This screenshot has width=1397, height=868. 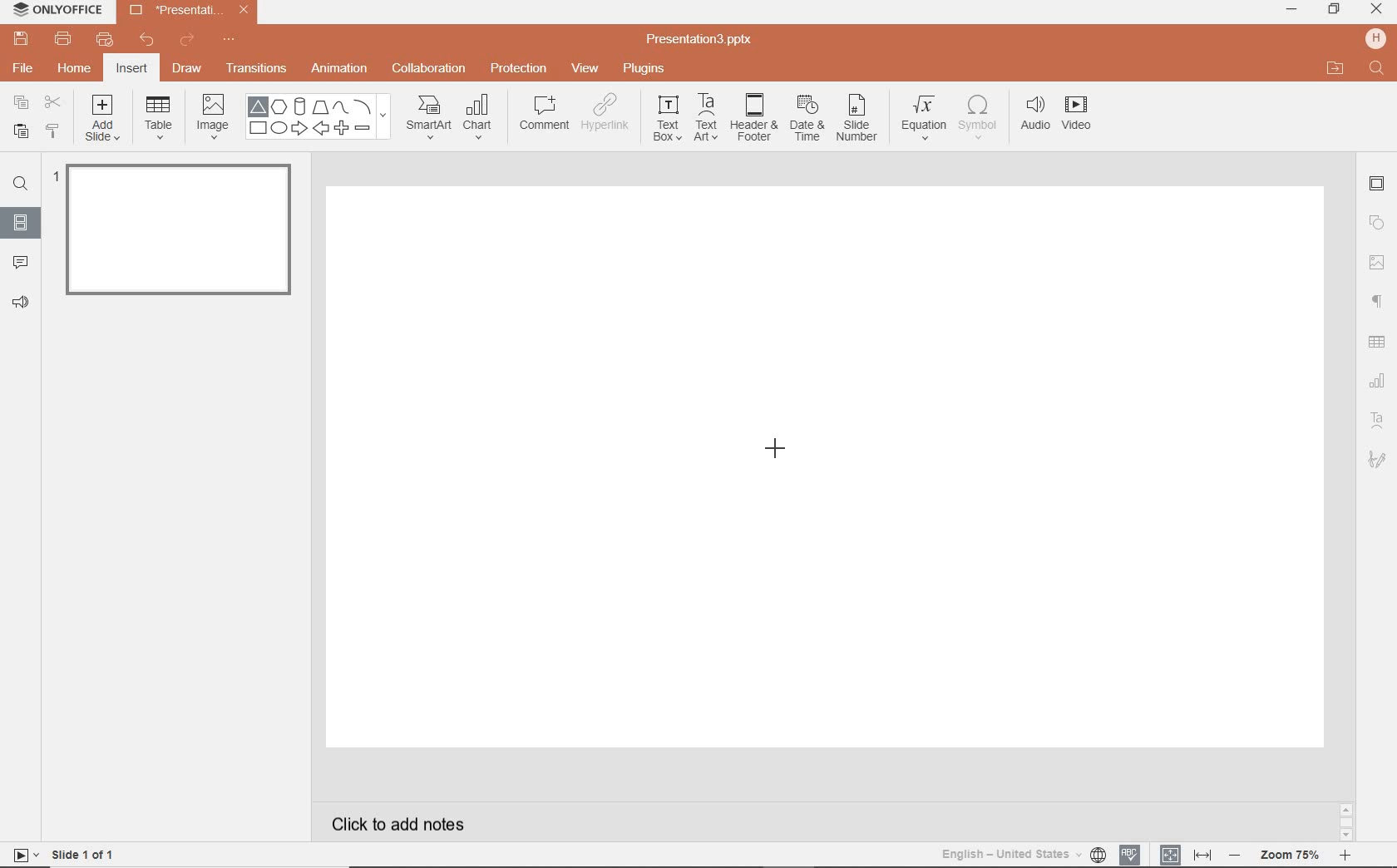 I want to click on COMMENT, so click(x=543, y=117).